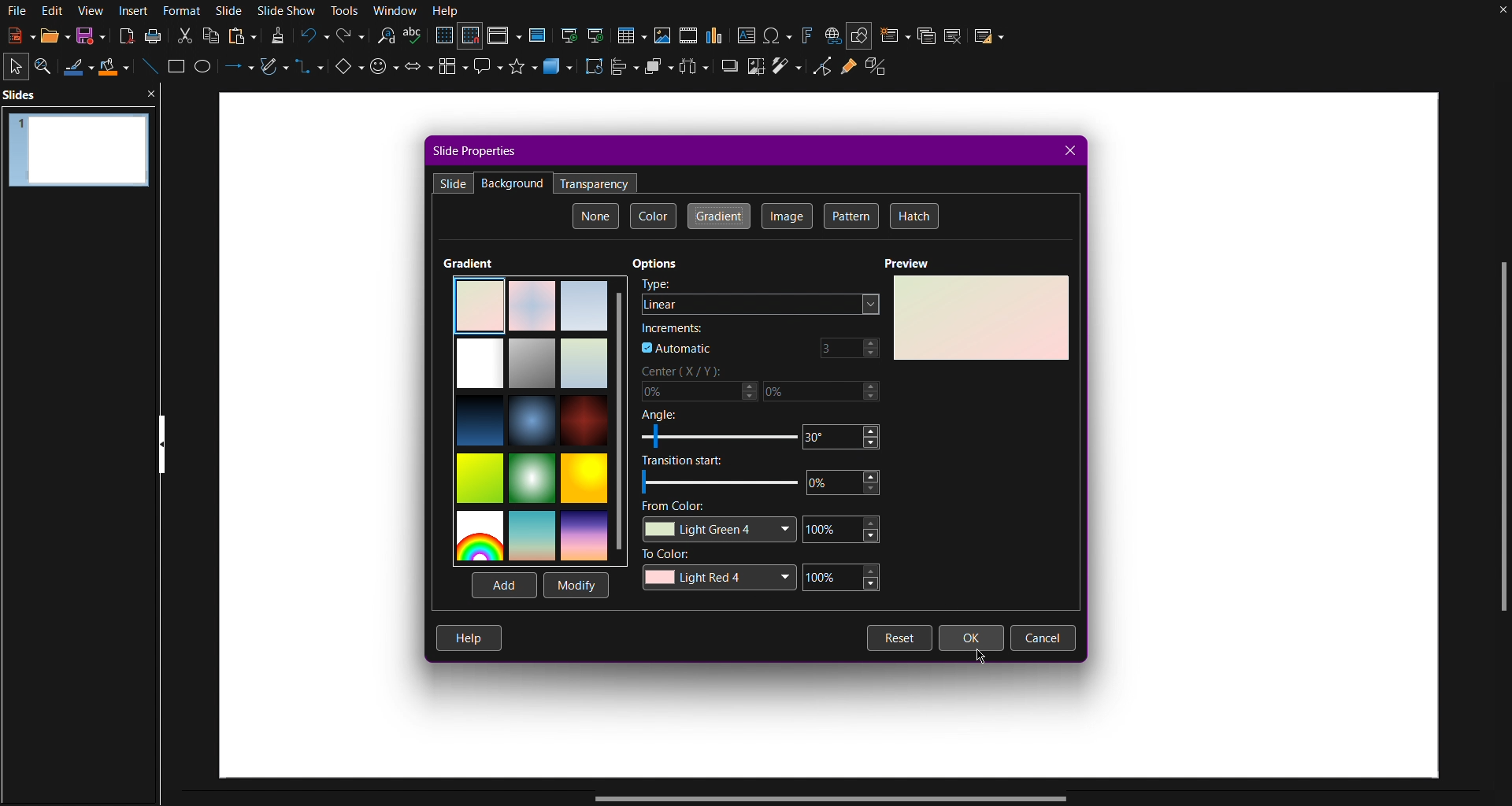 The height and width of the screenshot is (806, 1512). I want to click on Paste, so click(242, 35).